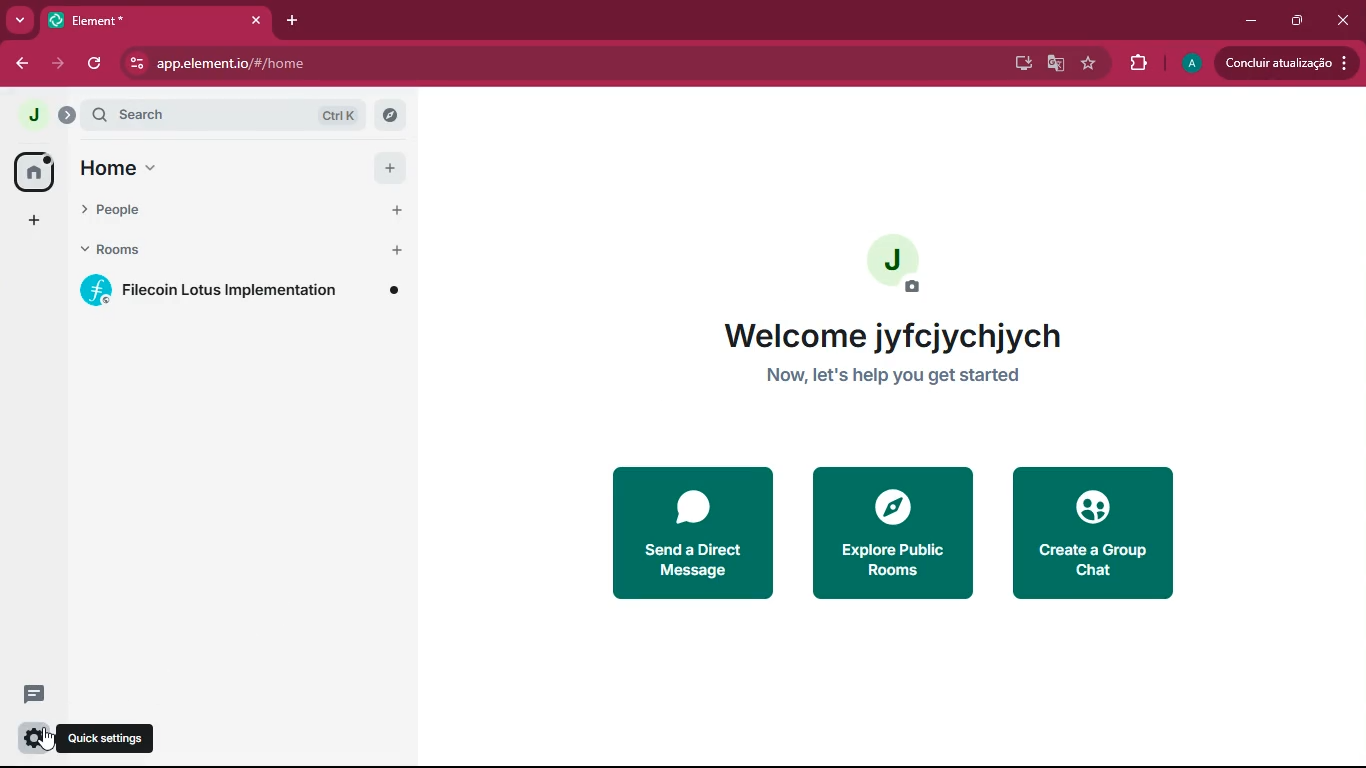  What do you see at coordinates (889, 532) in the screenshot?
I see `explore public rooms` at bounding box center [889, 532].